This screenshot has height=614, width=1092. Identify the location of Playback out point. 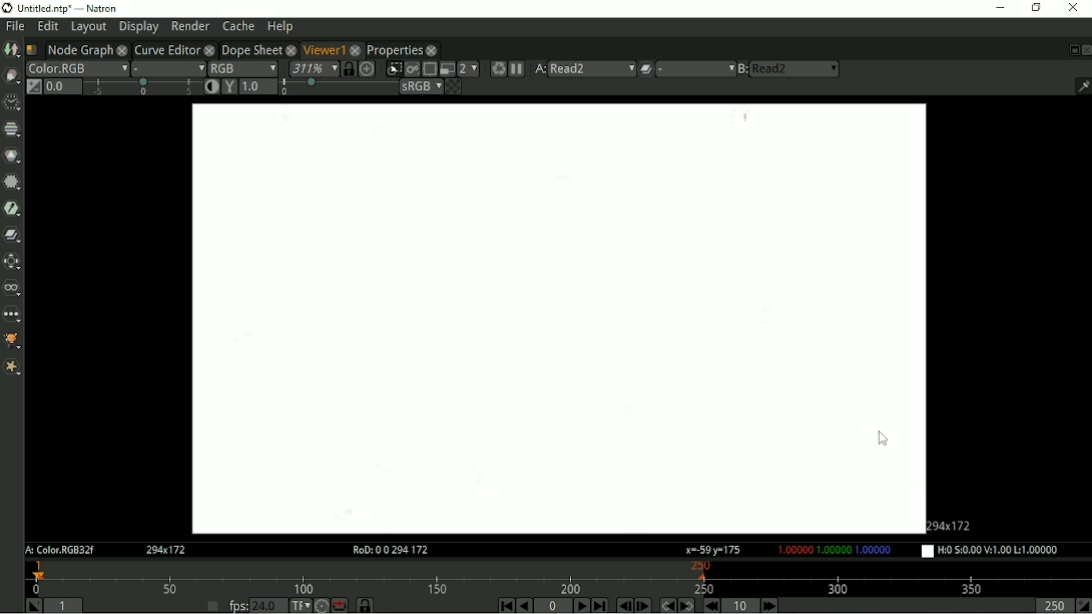
(1050, 606).